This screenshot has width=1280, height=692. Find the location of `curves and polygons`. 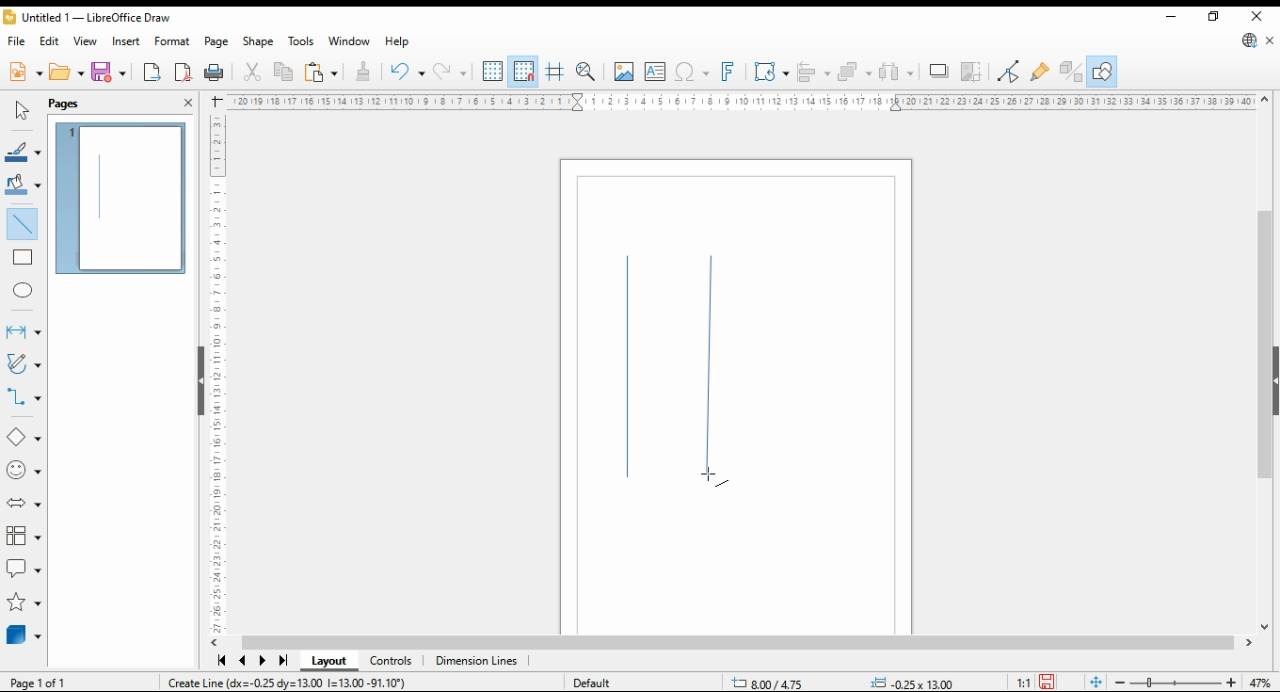

curves and polygons is located at coordinates (22, 365).